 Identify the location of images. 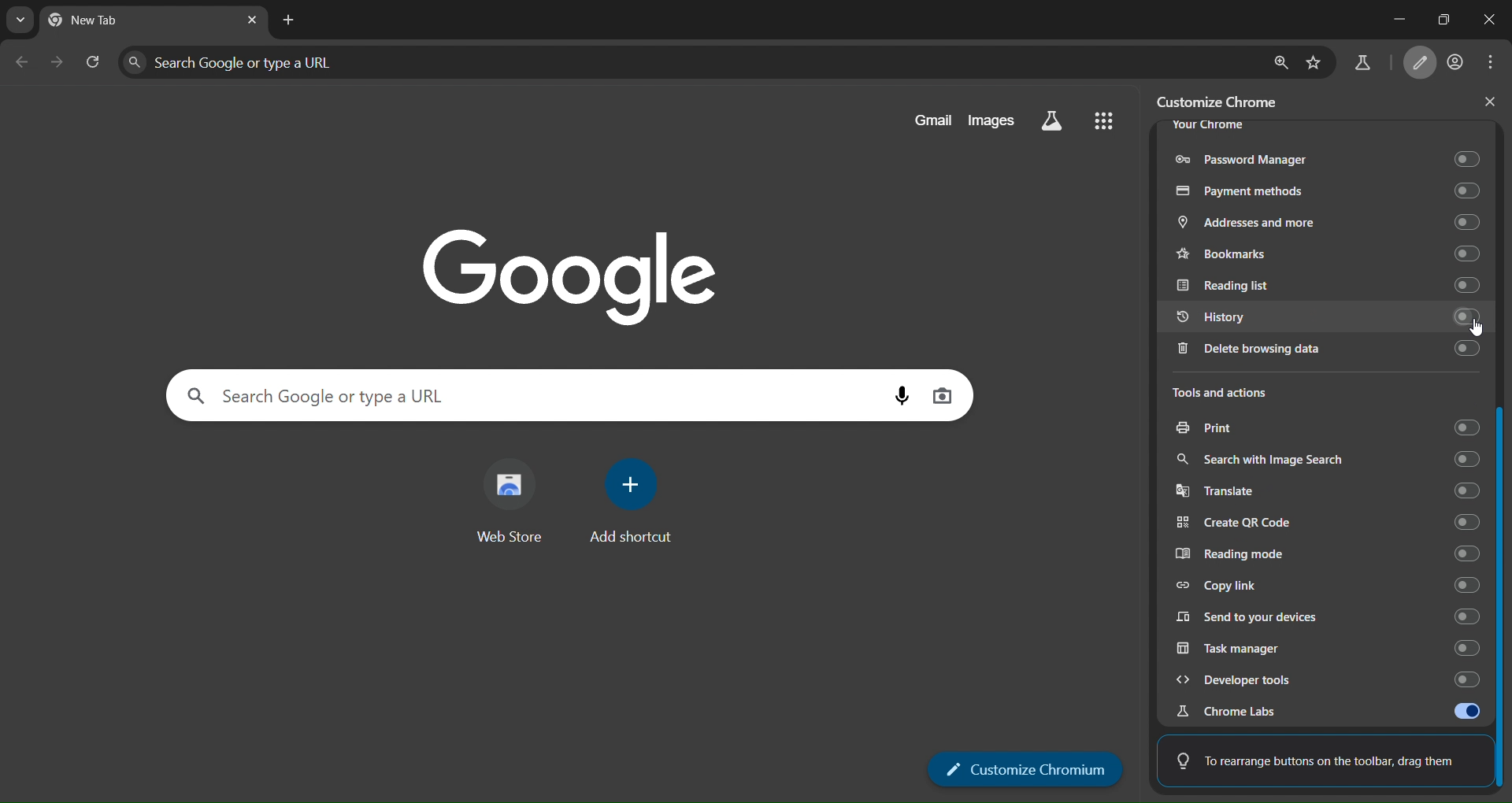
(991, 120).